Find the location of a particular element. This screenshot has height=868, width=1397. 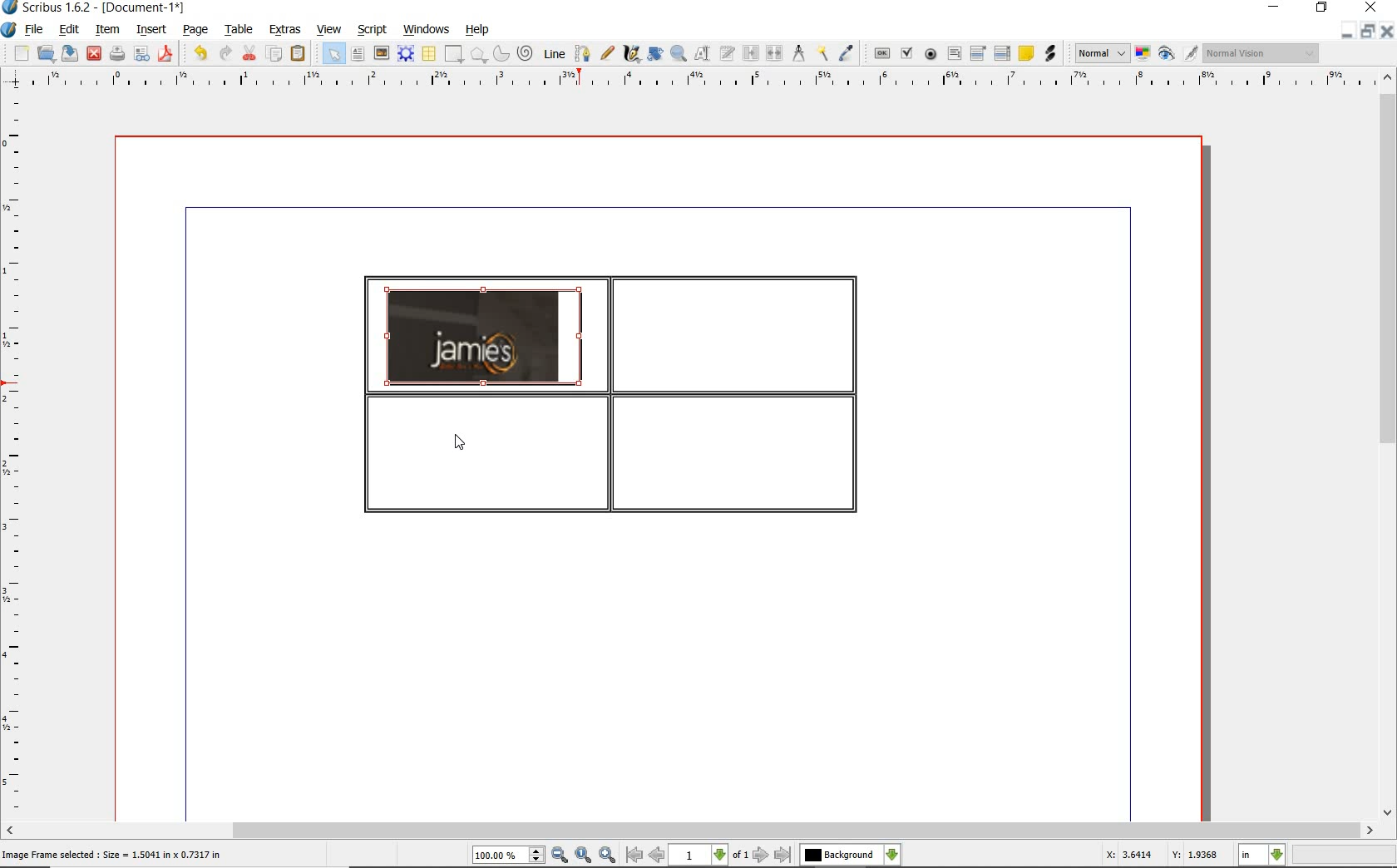

image preview quality is located at coordinates (1101, 52).